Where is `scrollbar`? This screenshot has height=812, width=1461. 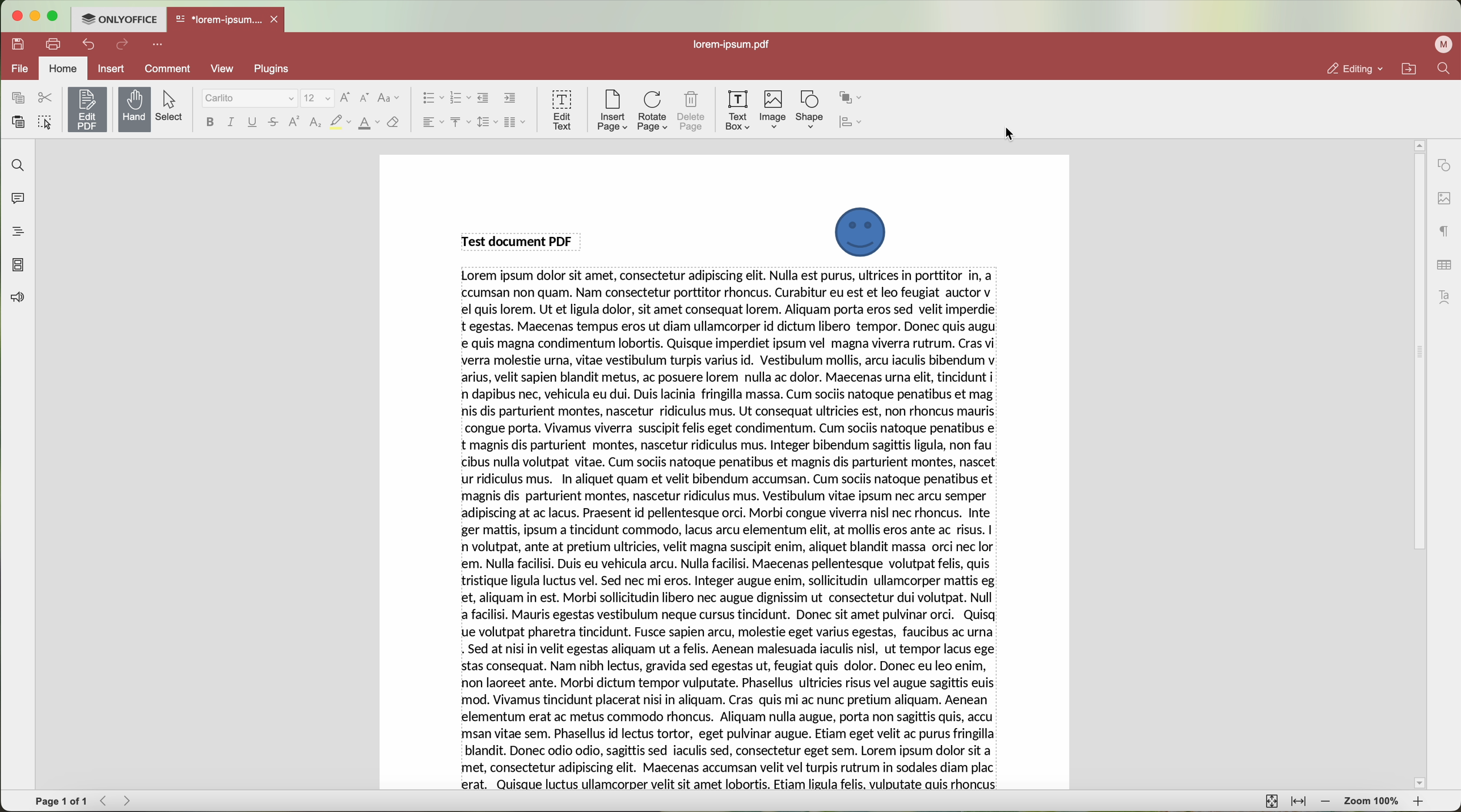 scrollbar is located at coordinates (1418, 464).